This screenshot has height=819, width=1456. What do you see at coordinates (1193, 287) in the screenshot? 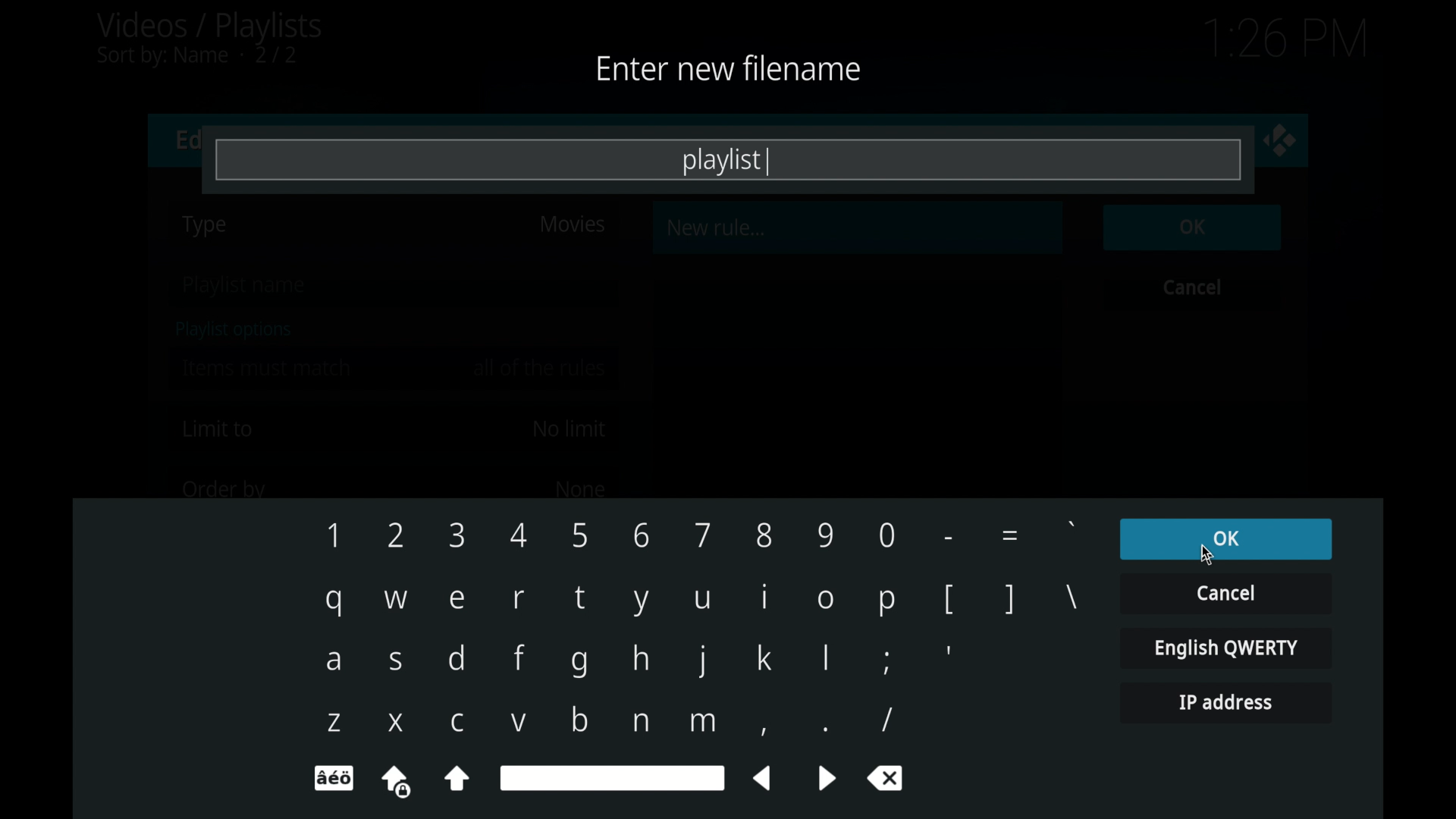
I see `cancel` at bounding box center [1193, 287].